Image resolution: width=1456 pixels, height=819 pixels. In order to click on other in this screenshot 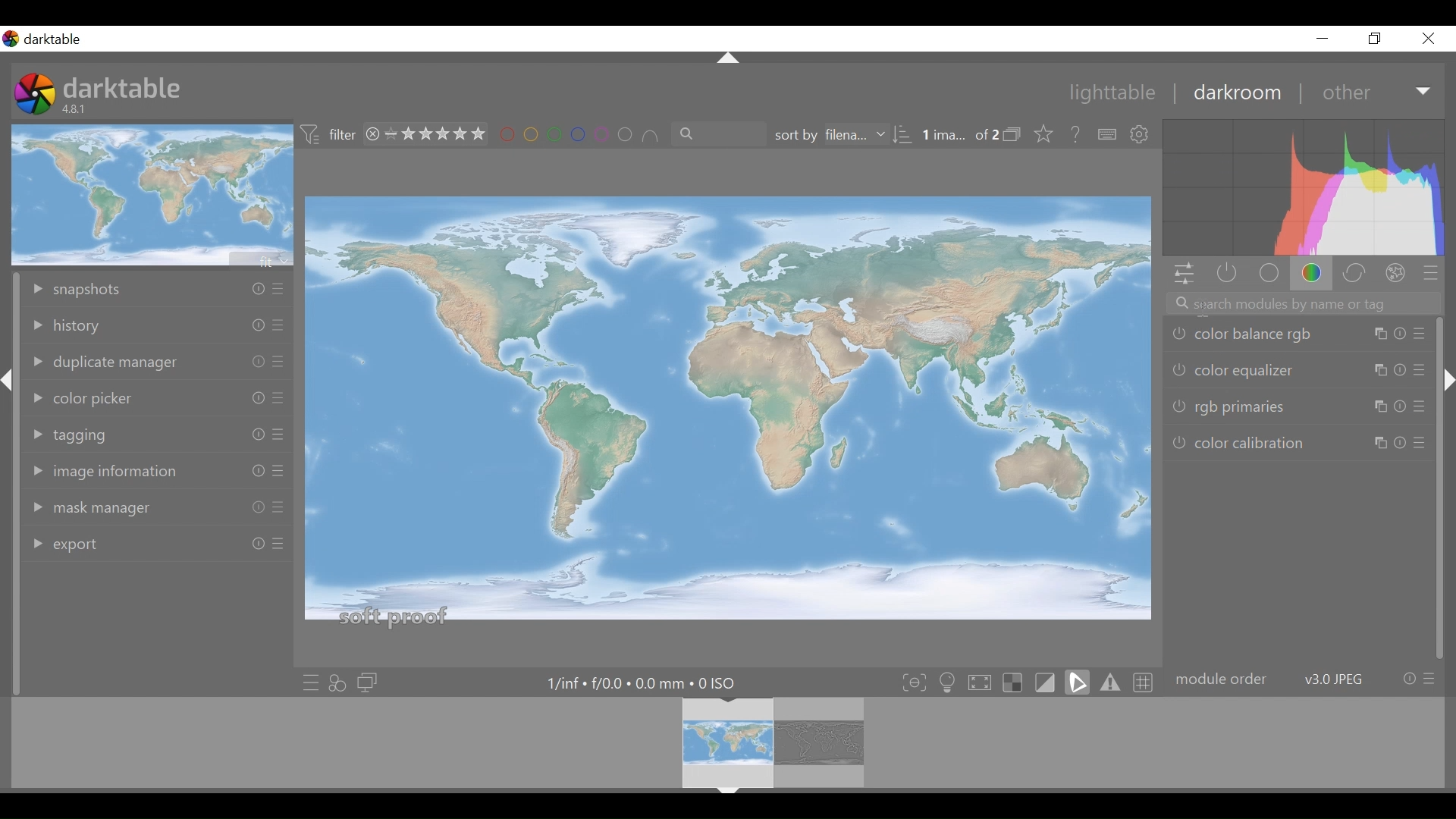, I will do `click(1345, 93)`.